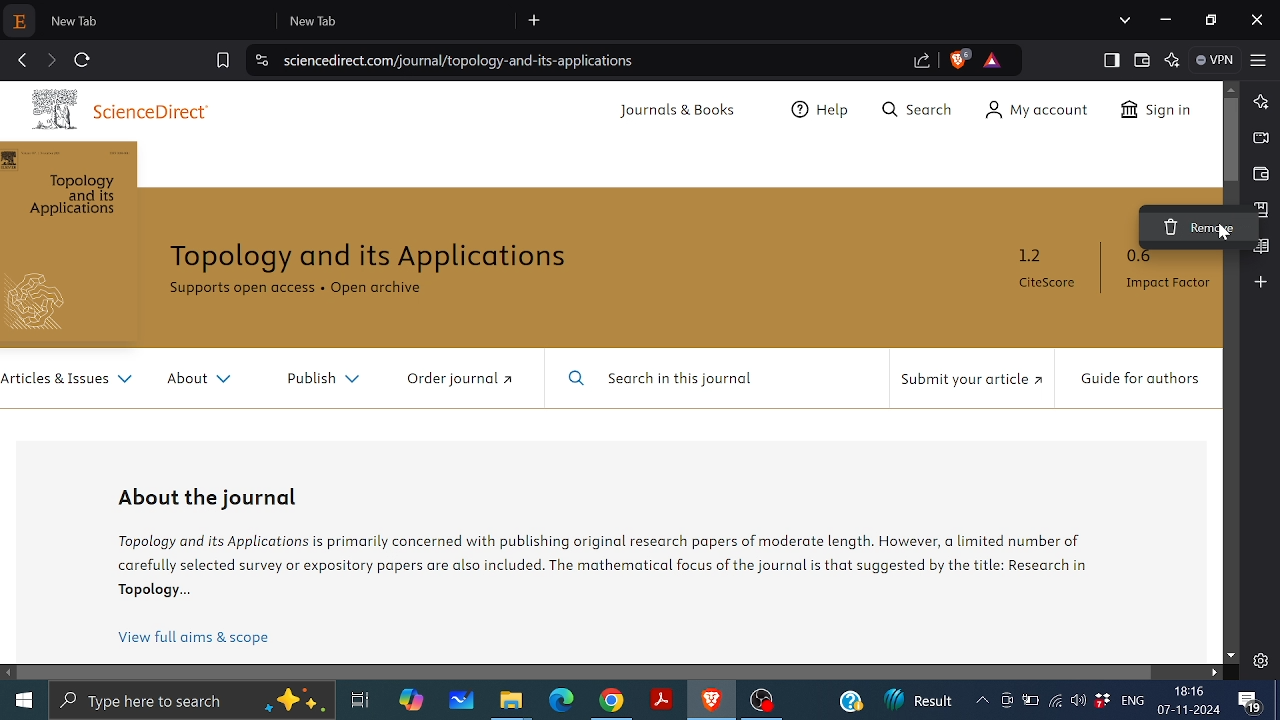 Image resolution: width=1280 pixels, height=720 pixels. I want to click on View full aims and scope, so click(193, 640).